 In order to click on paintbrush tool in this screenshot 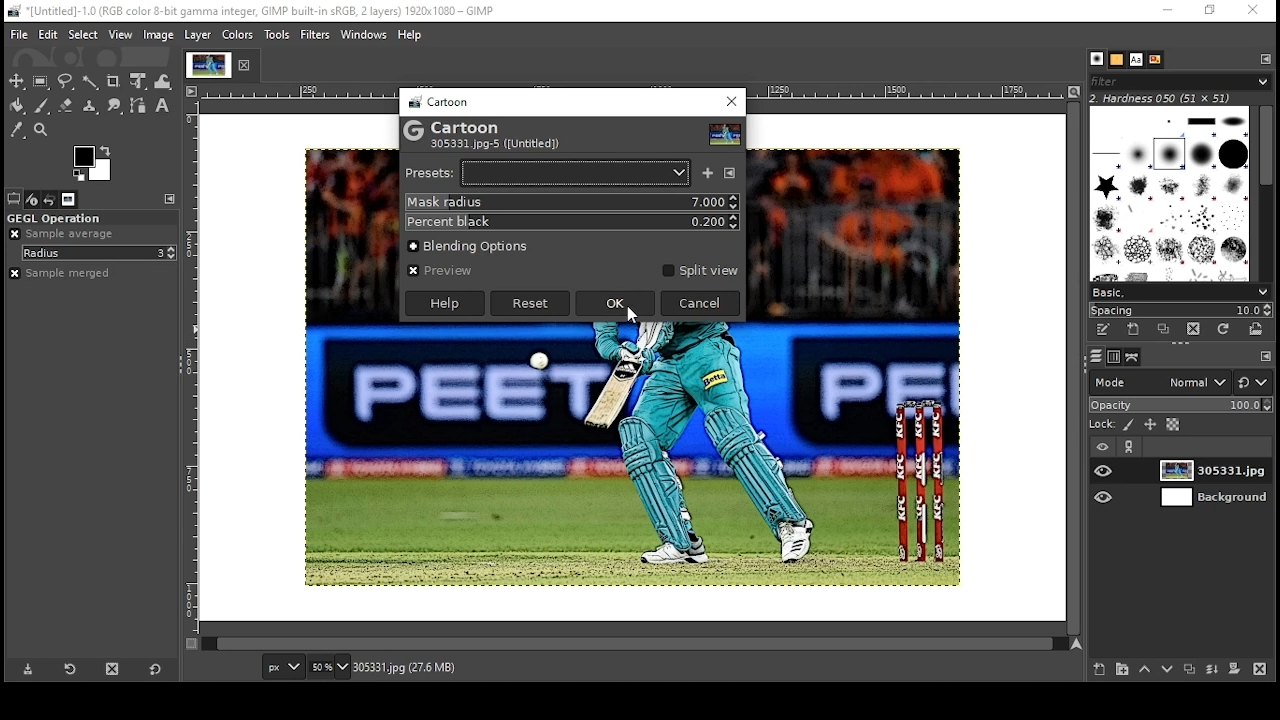, I will do `click(42, 106)`.